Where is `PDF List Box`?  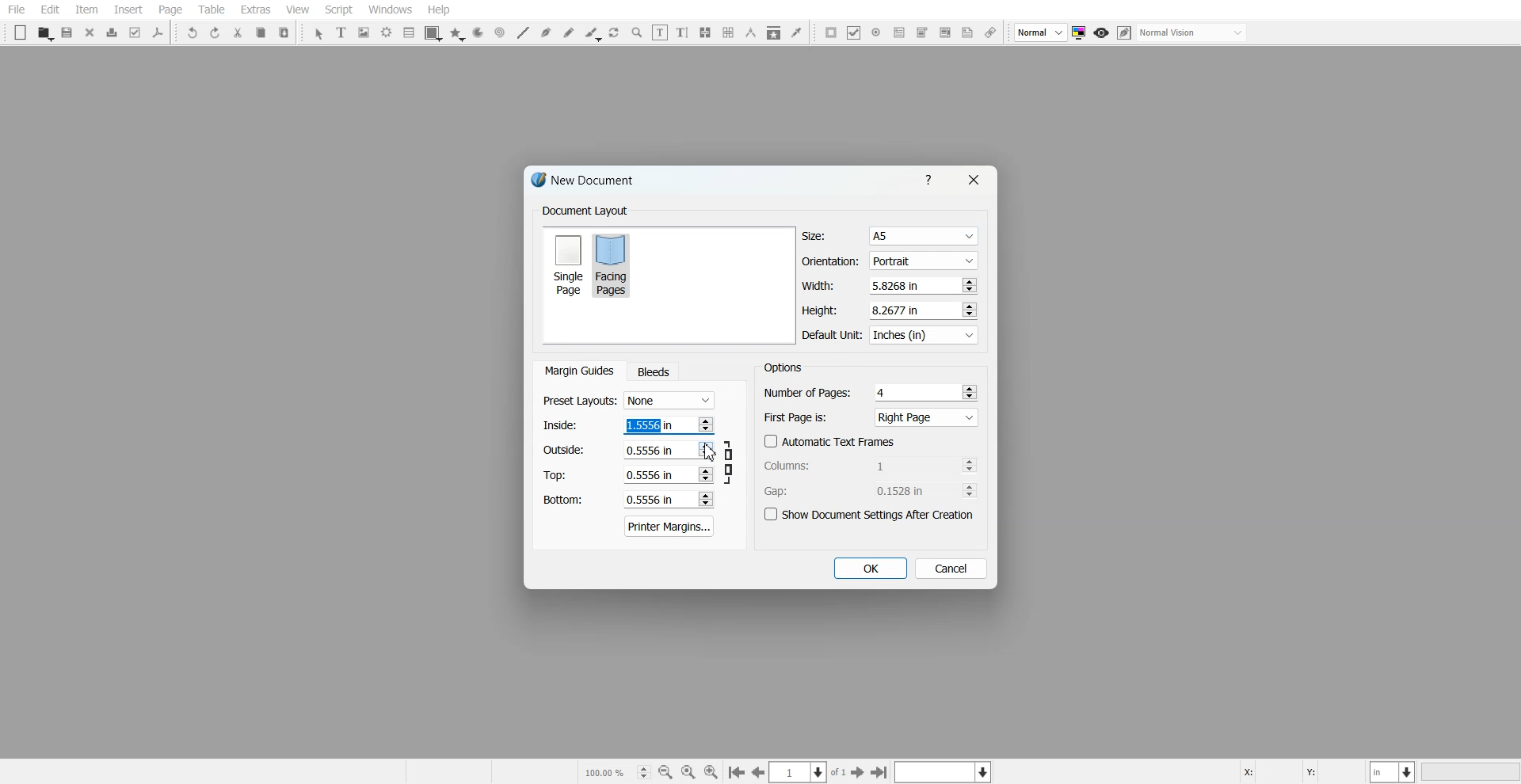 PDF List Box is located at coordinates (944, 33).